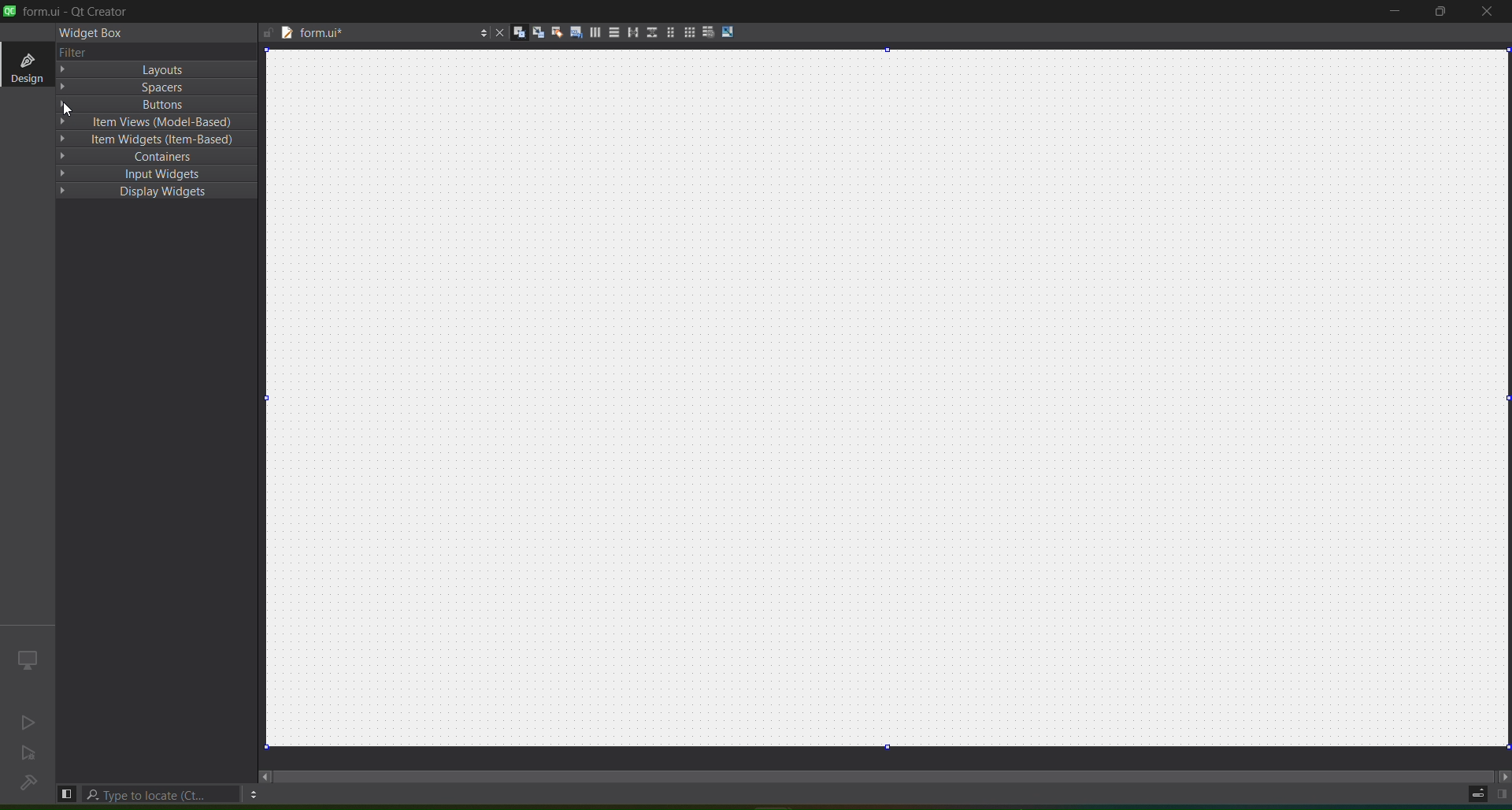  What do you see at coordinates (158, 87) in the screenshot?
I see `Spacers` at bounding box center [158, 87].